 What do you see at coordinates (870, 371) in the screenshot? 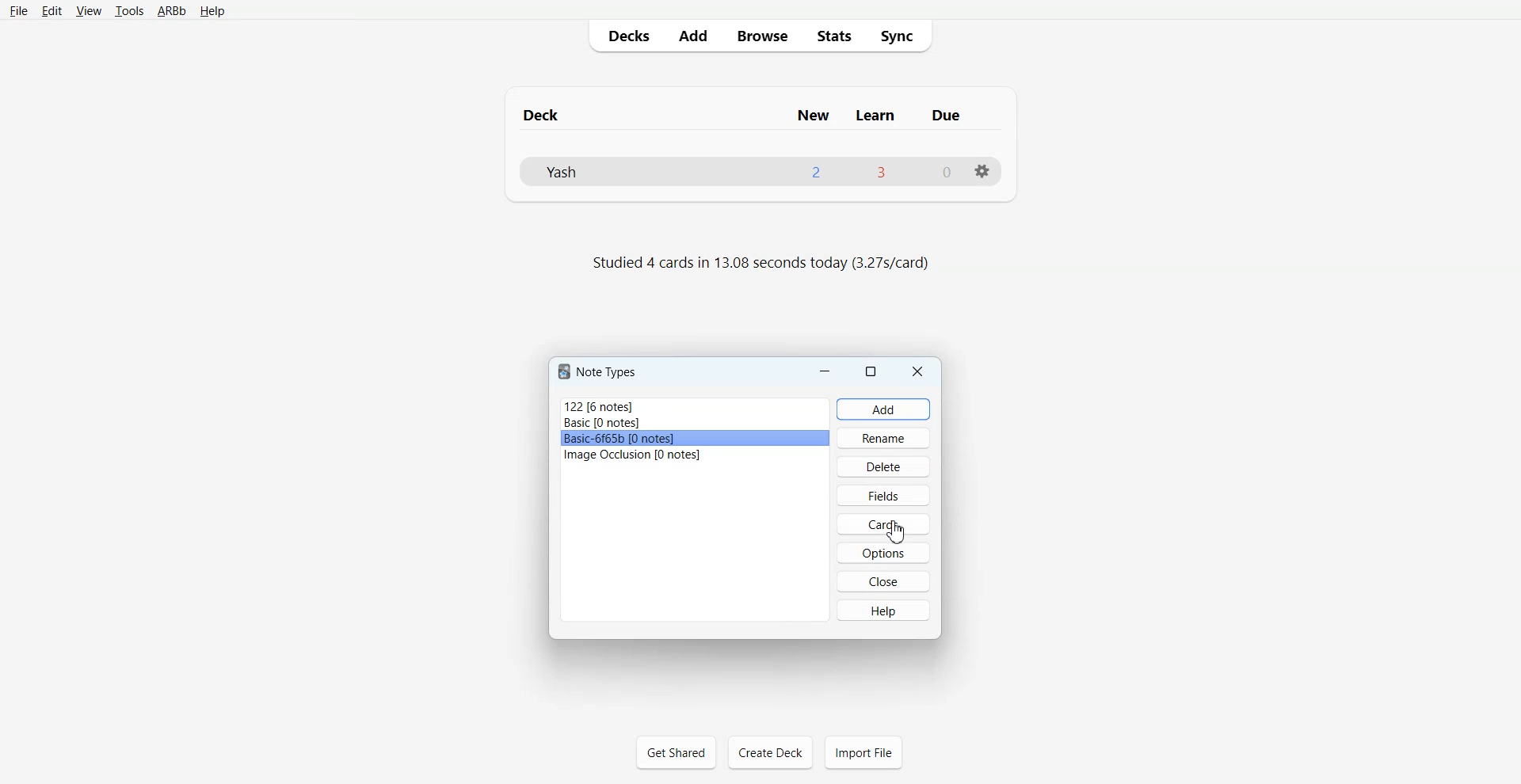
I see `Maximize` at bounding box center [870, 371].